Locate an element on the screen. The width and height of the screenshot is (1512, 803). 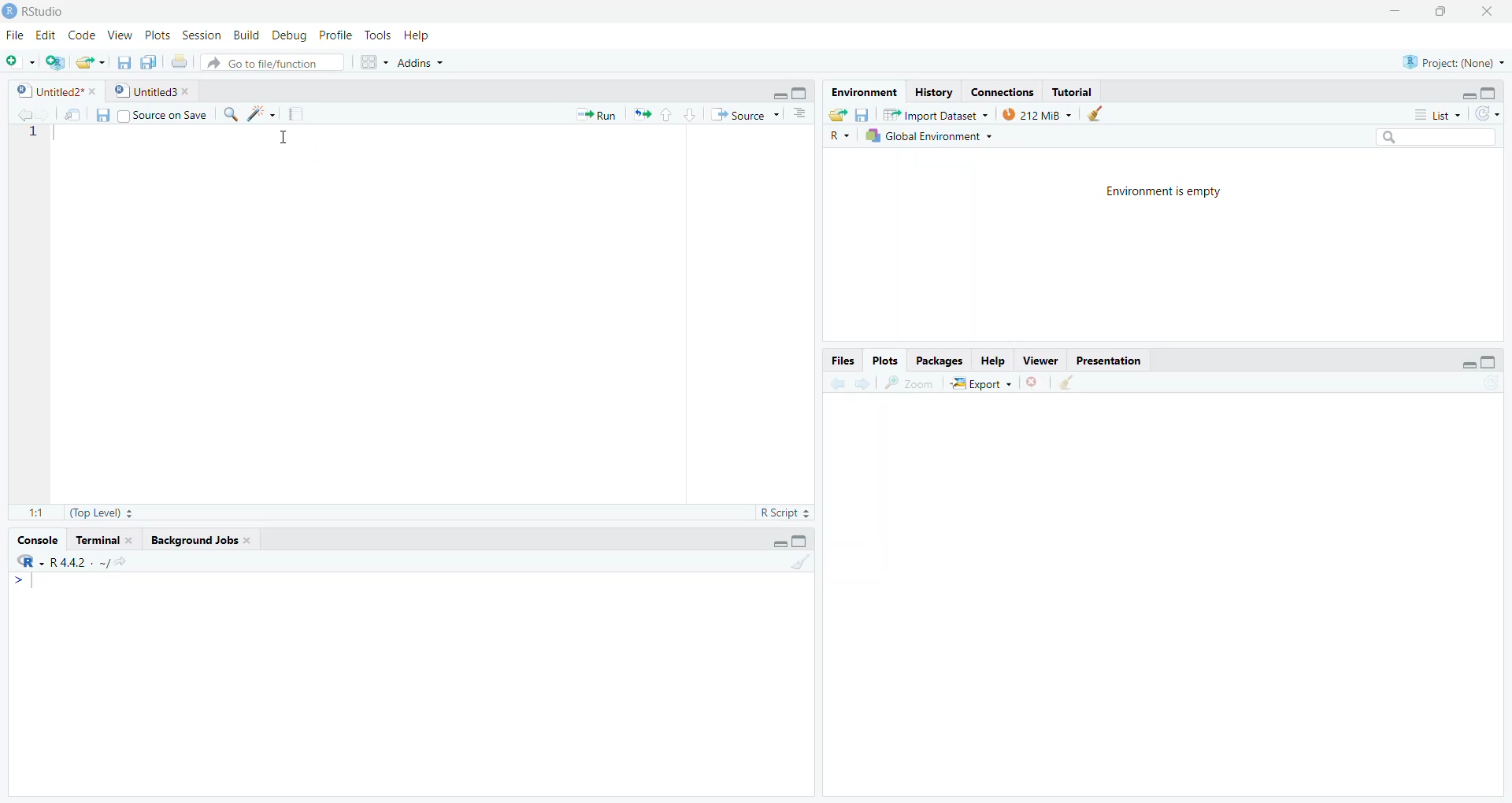
export is located at coordinates (980, 381).